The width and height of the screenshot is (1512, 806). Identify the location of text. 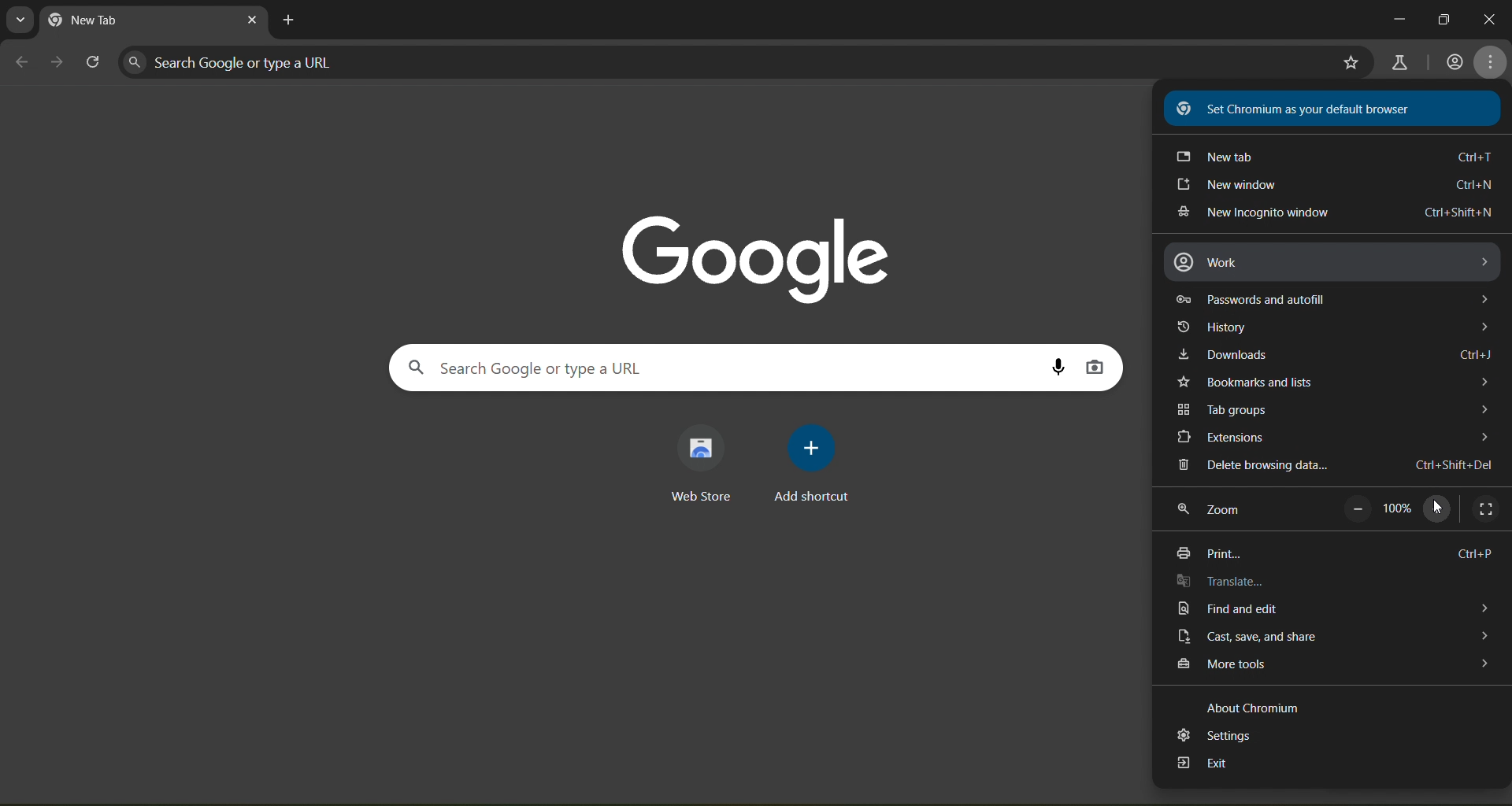
(1254, 708).